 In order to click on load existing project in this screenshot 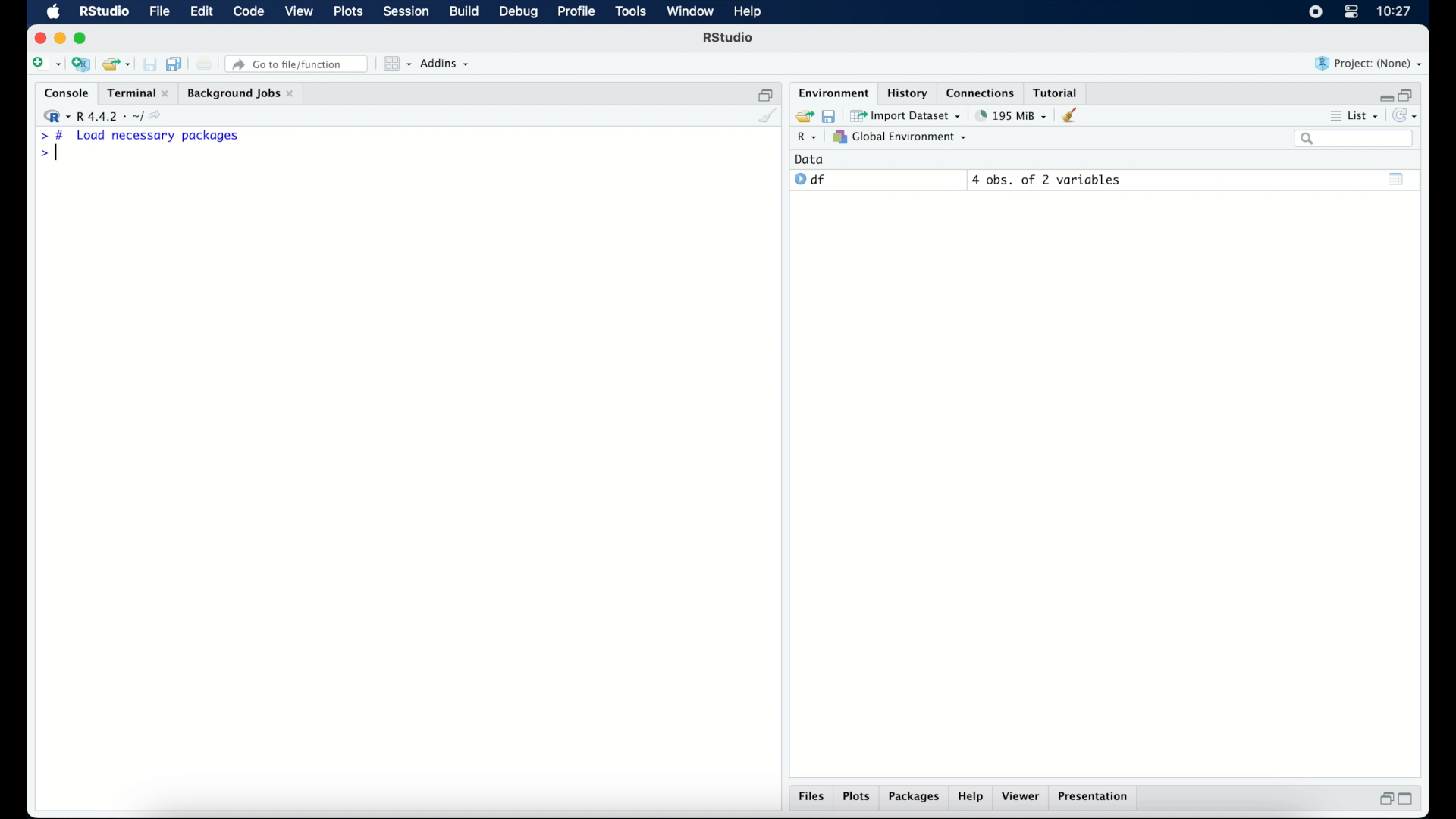, I will do `click(115, 64)`.